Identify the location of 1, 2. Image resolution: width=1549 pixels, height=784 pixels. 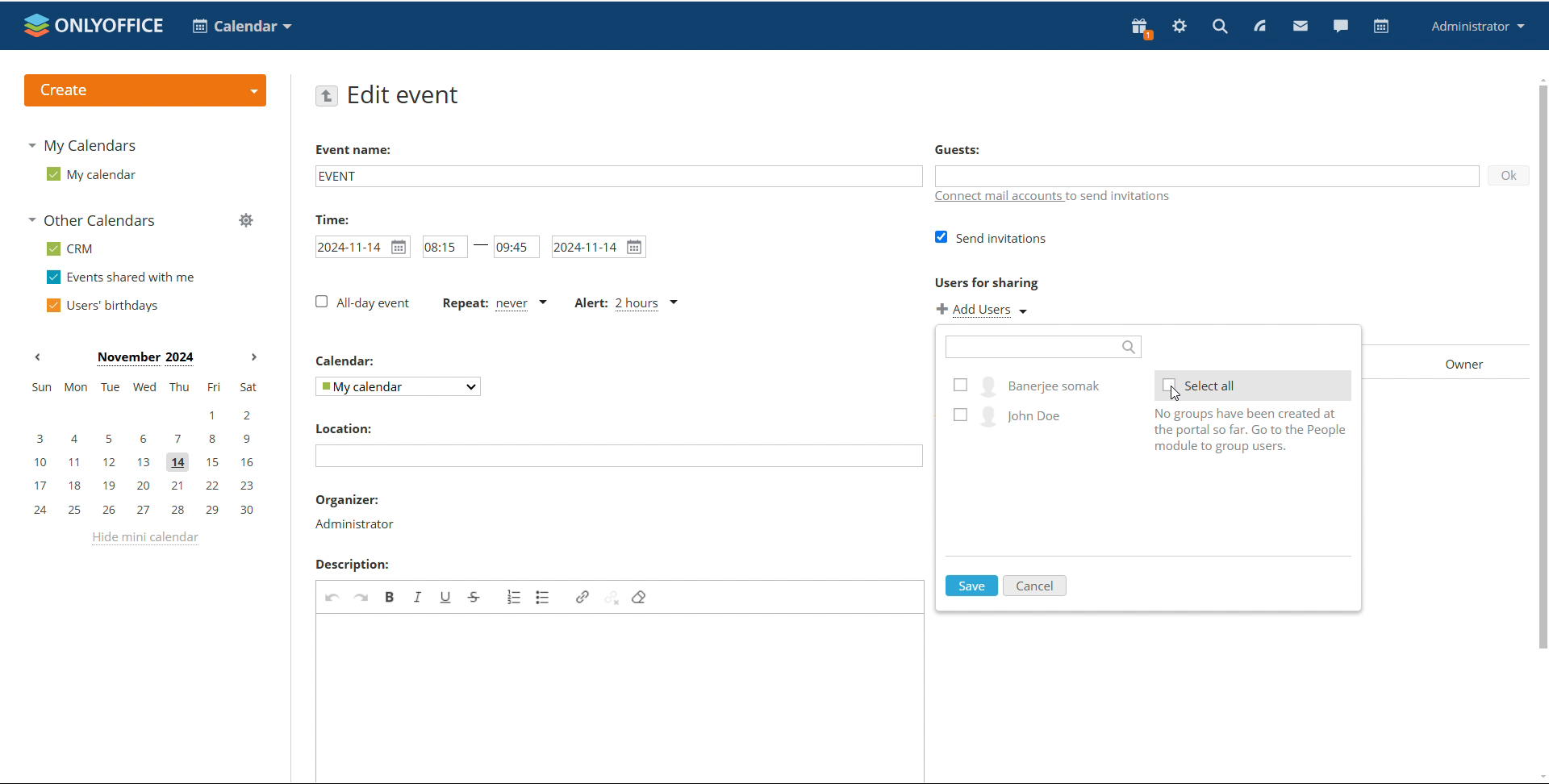
(140, 416).